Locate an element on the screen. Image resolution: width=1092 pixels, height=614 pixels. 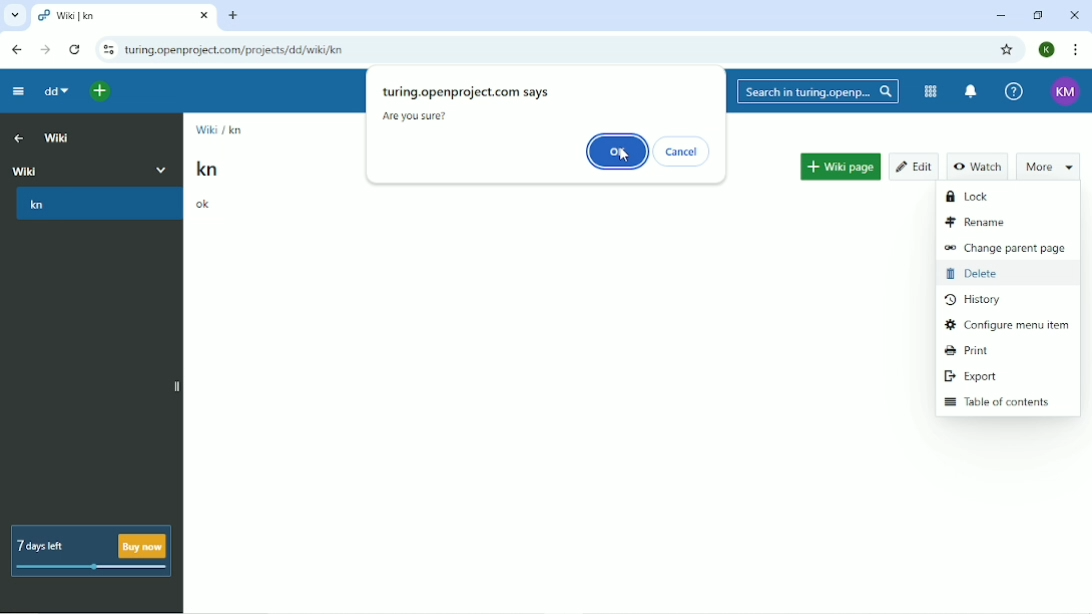
View site information is located at coordinates (107, 51).